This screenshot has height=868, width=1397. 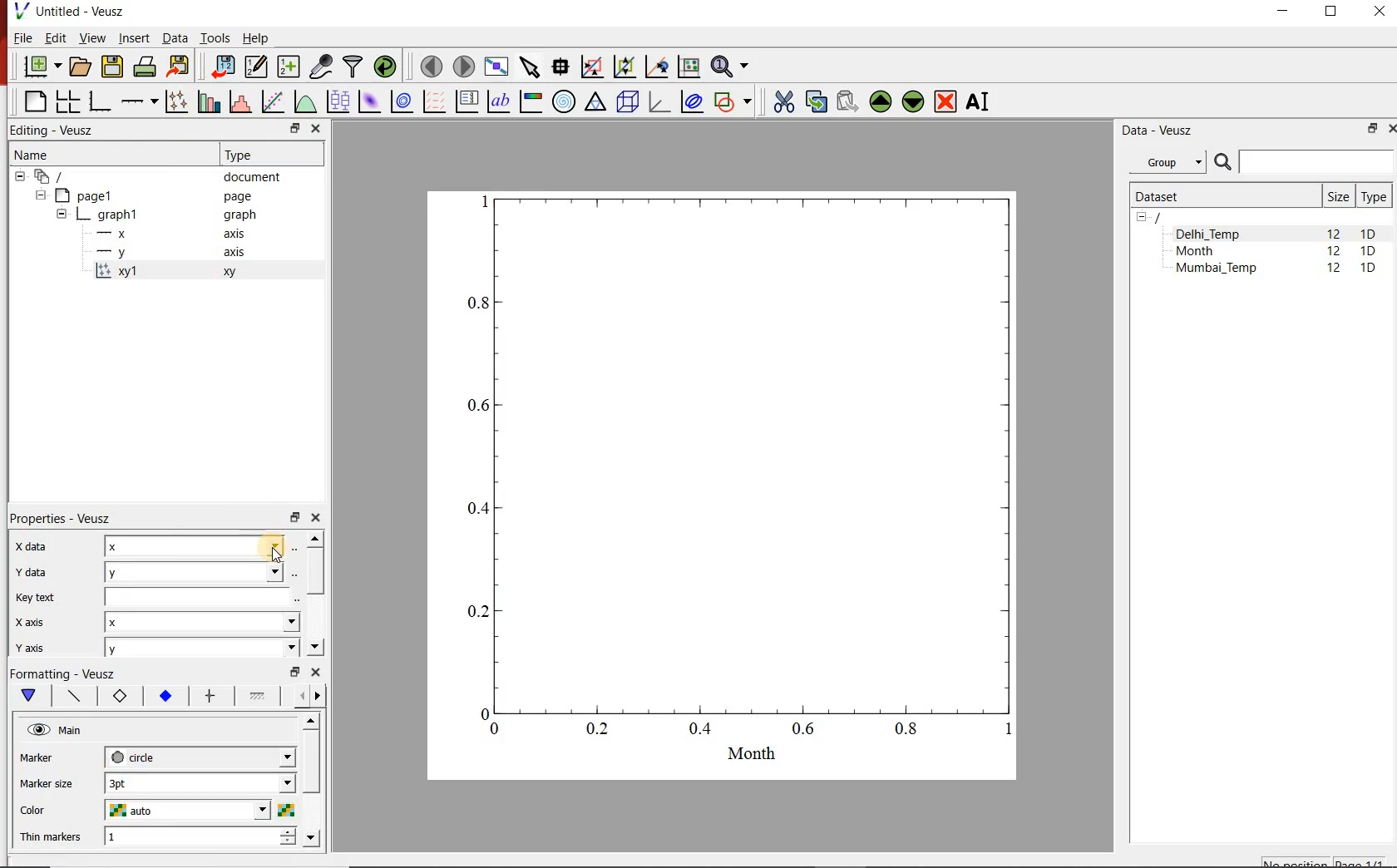 What do you see at coordinates (91, 37) in the screenshot?
I see `View` at bounding box center [91, 37].